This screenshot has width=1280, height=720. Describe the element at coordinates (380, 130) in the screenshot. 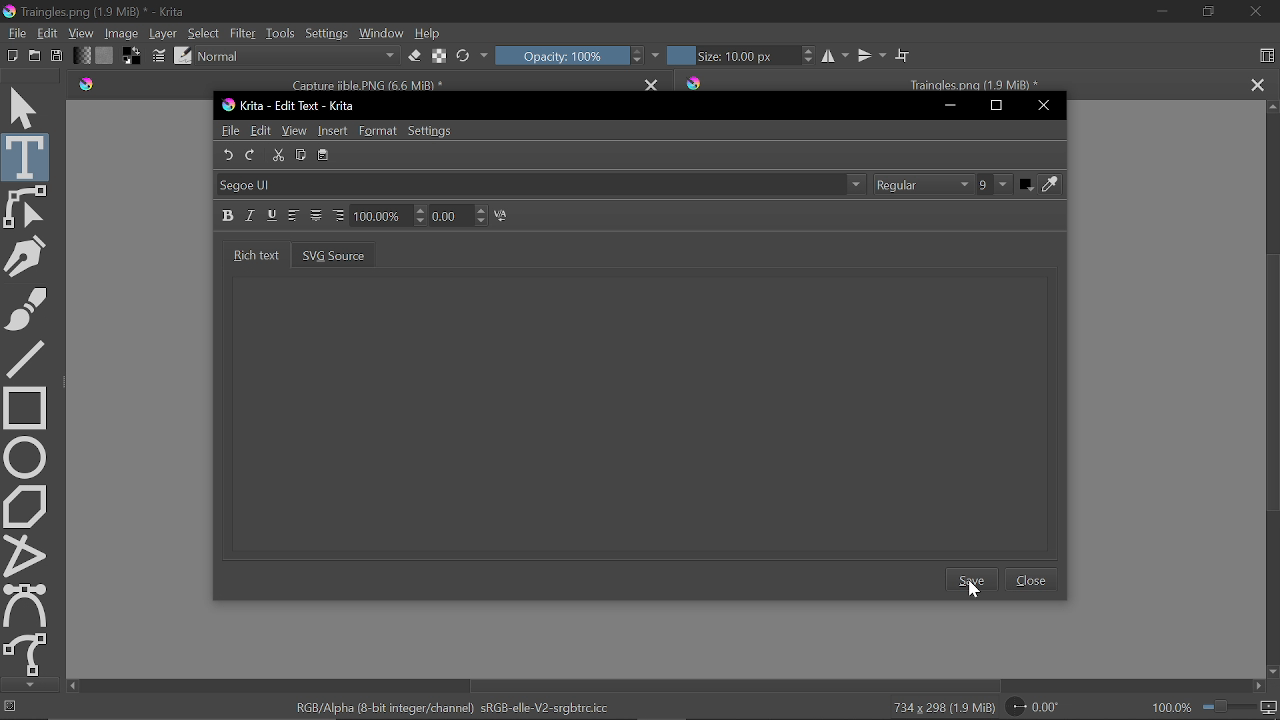

I see `Format` at that location.